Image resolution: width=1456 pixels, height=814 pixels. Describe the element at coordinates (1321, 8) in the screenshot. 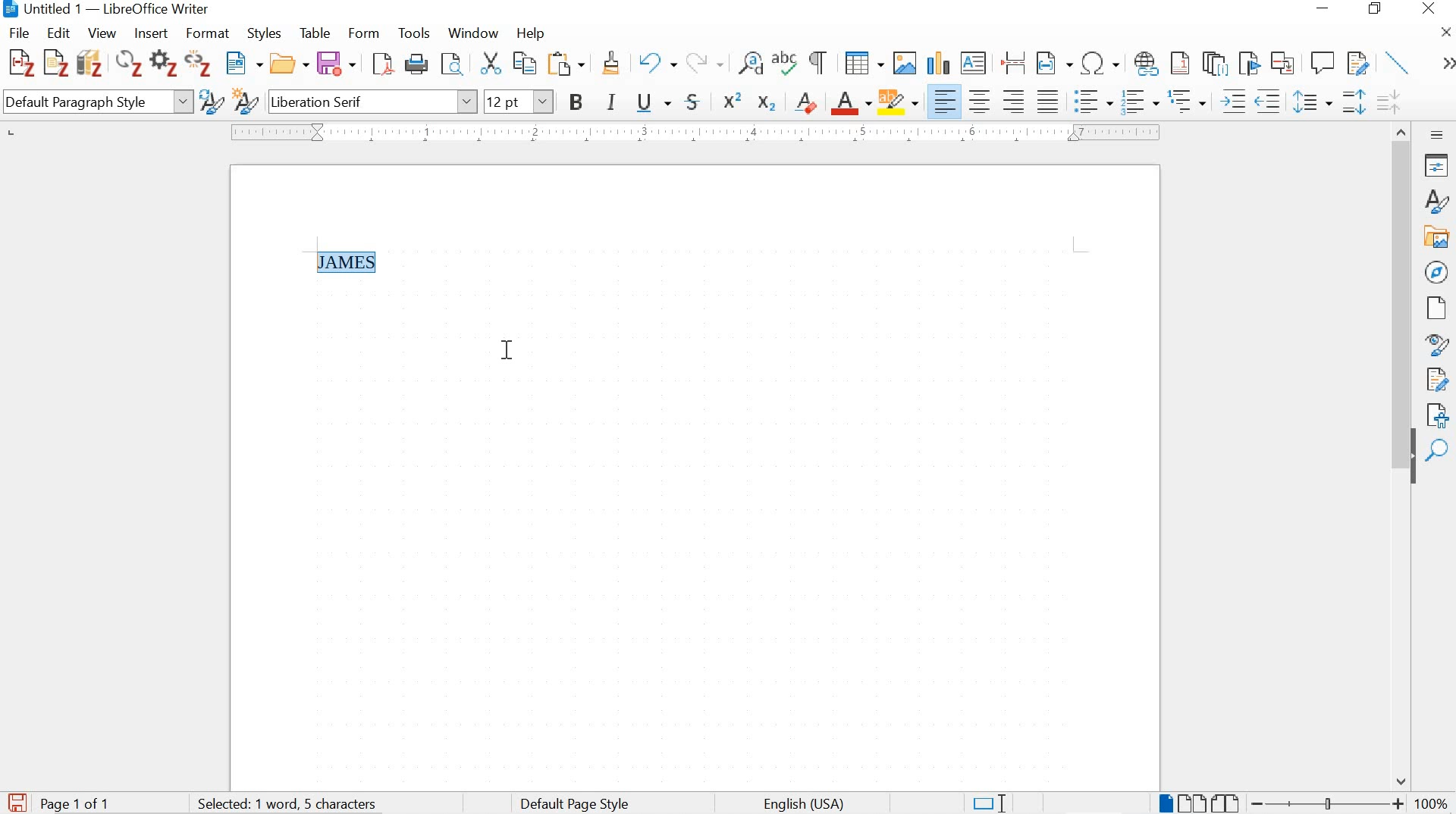

I see `minimize` at that location.